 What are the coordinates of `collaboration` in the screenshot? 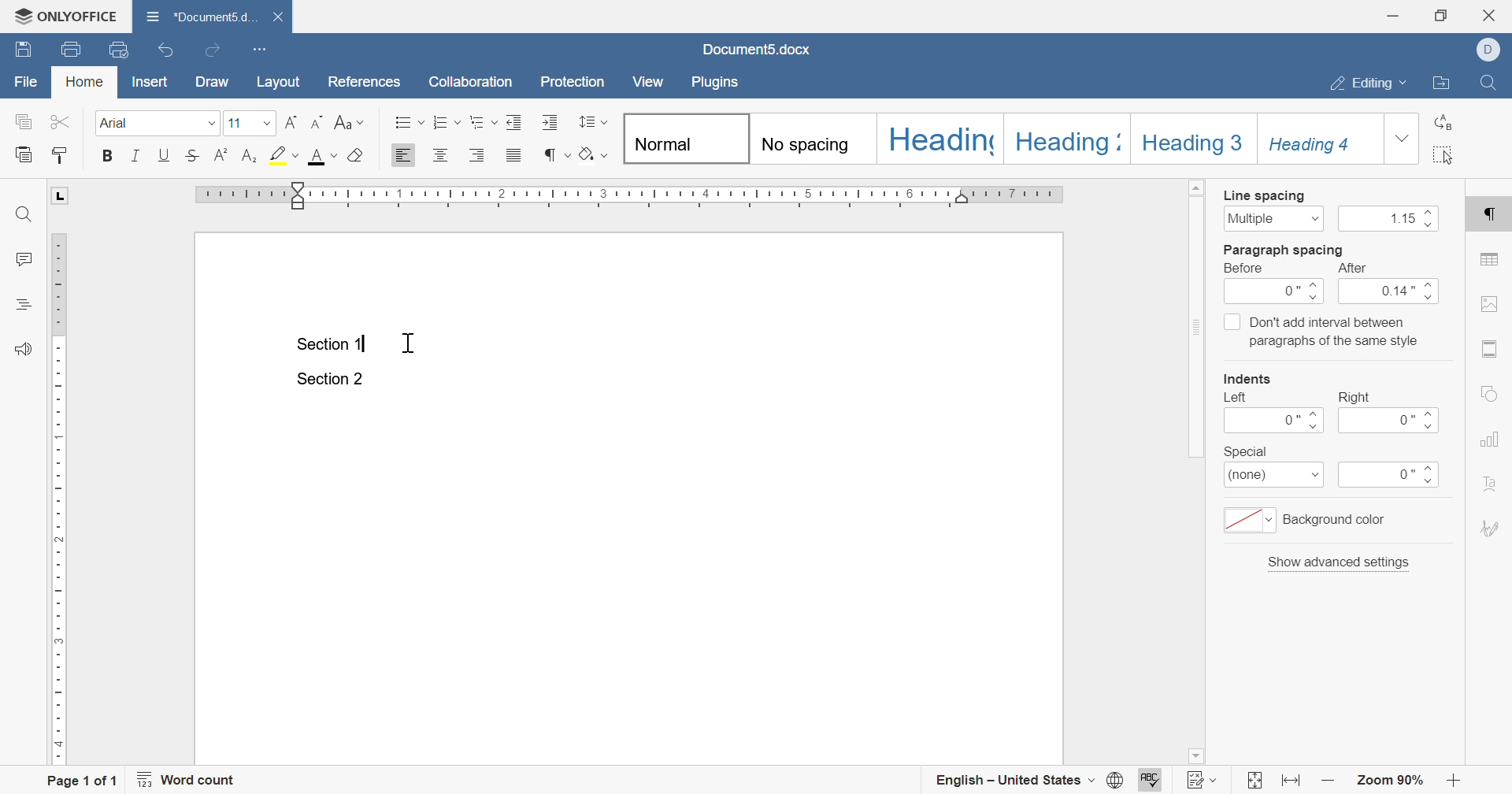 It's located at (476, 85).